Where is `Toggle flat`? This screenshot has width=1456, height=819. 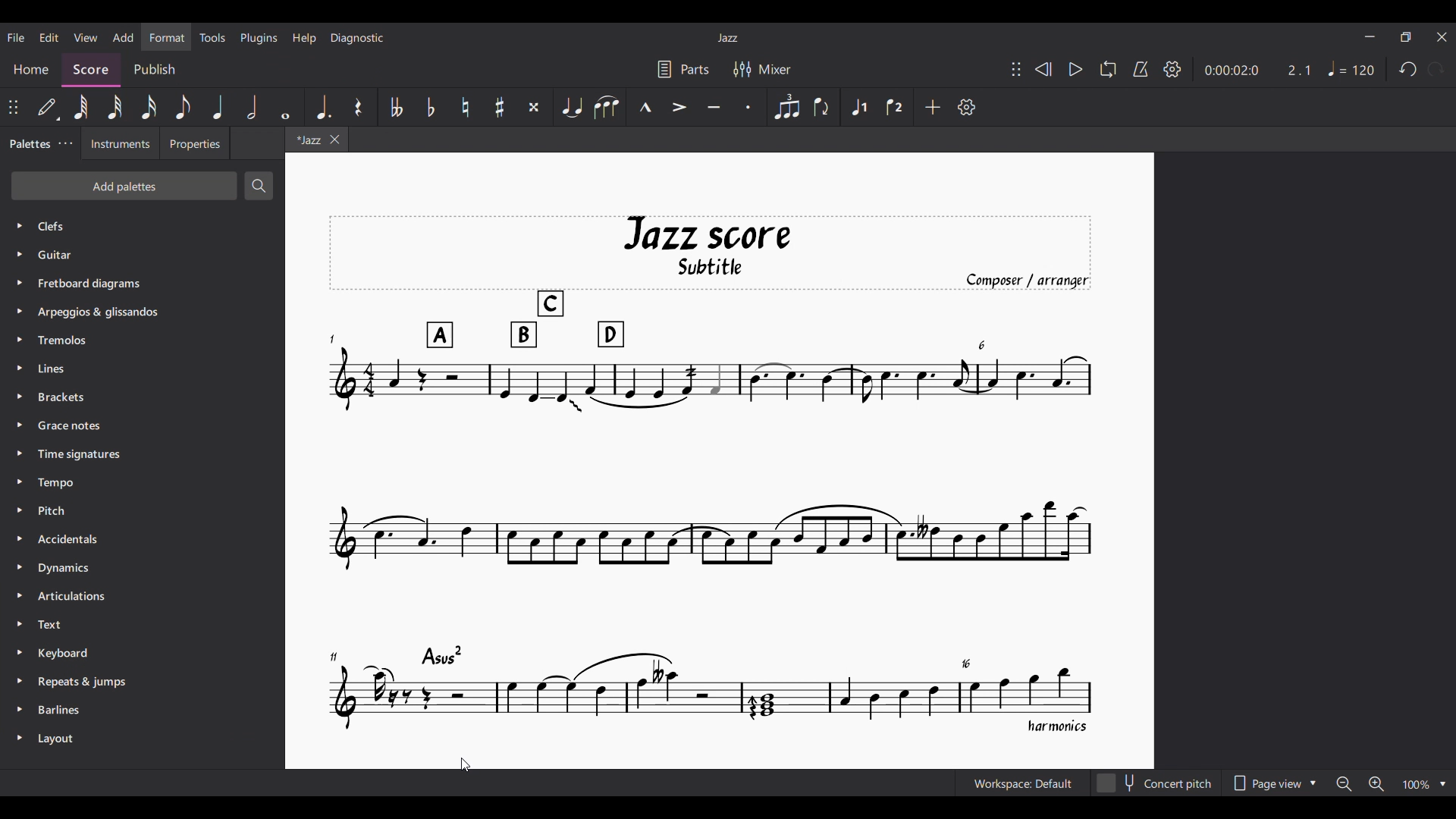 Toggle flat is located at coordinates (431, 106).